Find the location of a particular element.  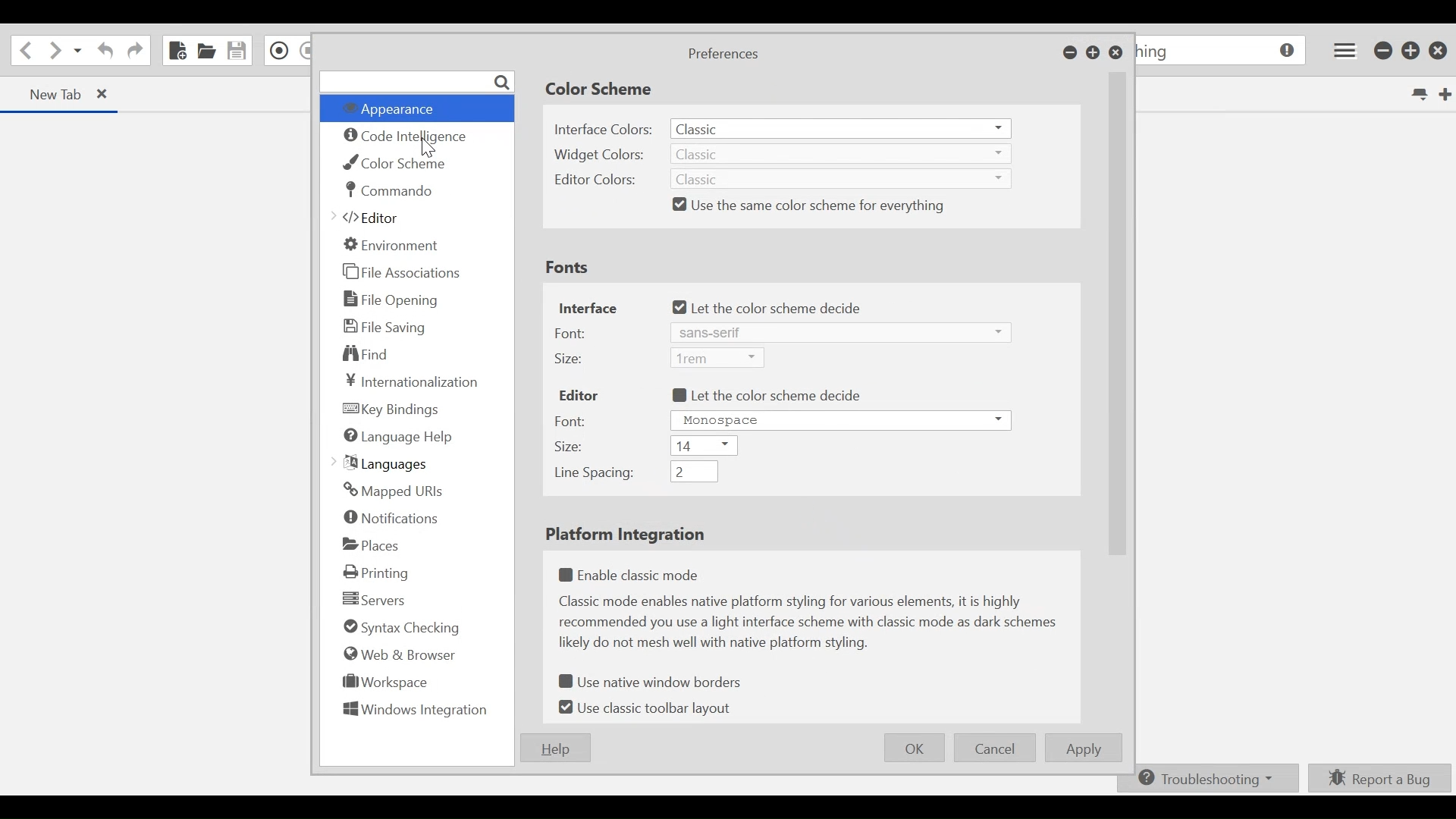

Go forward one location is located at coordinates (54, 52).